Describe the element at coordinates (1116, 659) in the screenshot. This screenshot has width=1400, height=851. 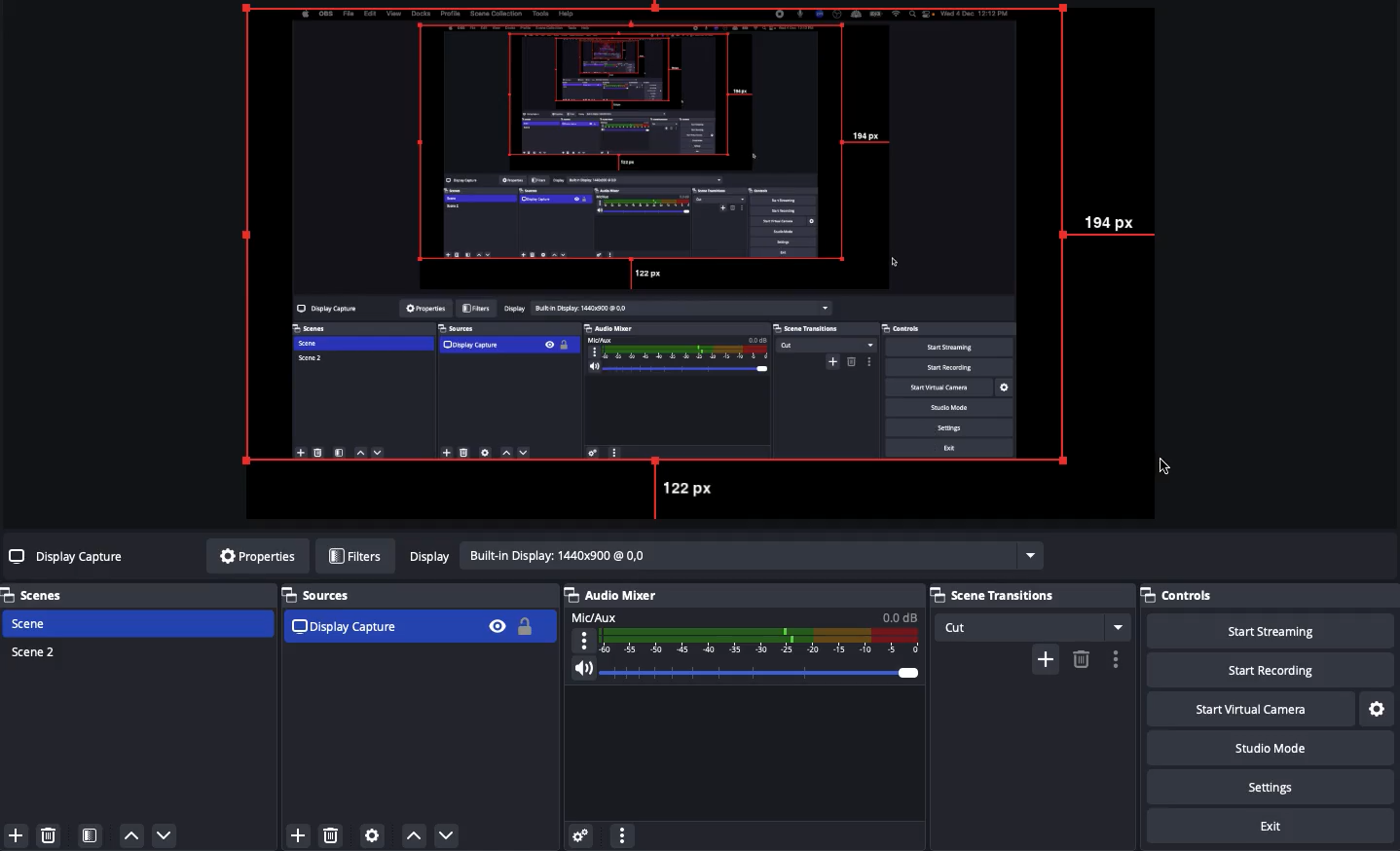
I see `More` at that location.